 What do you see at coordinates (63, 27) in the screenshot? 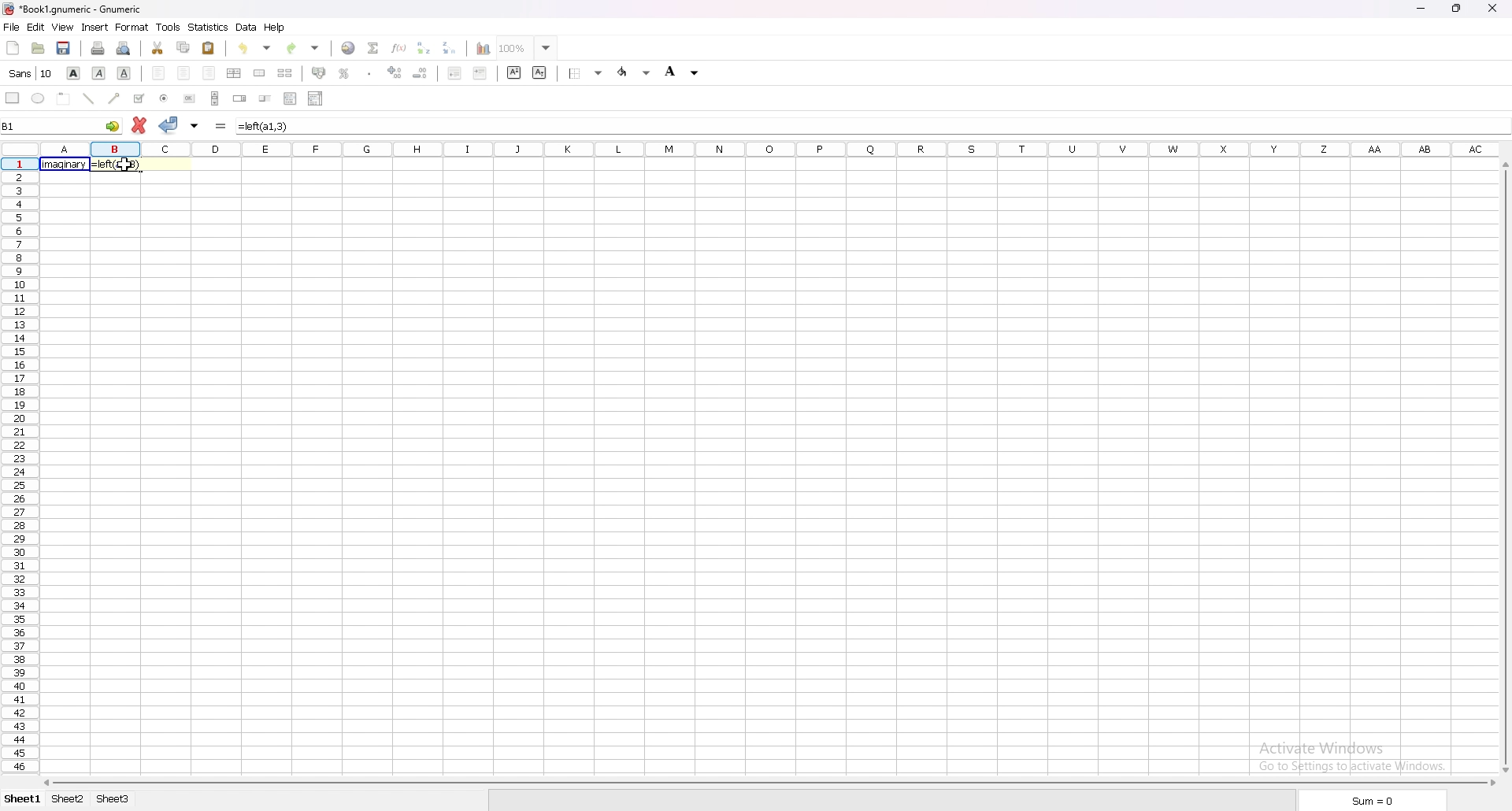
I see `view` at bounding box center [63, 27].